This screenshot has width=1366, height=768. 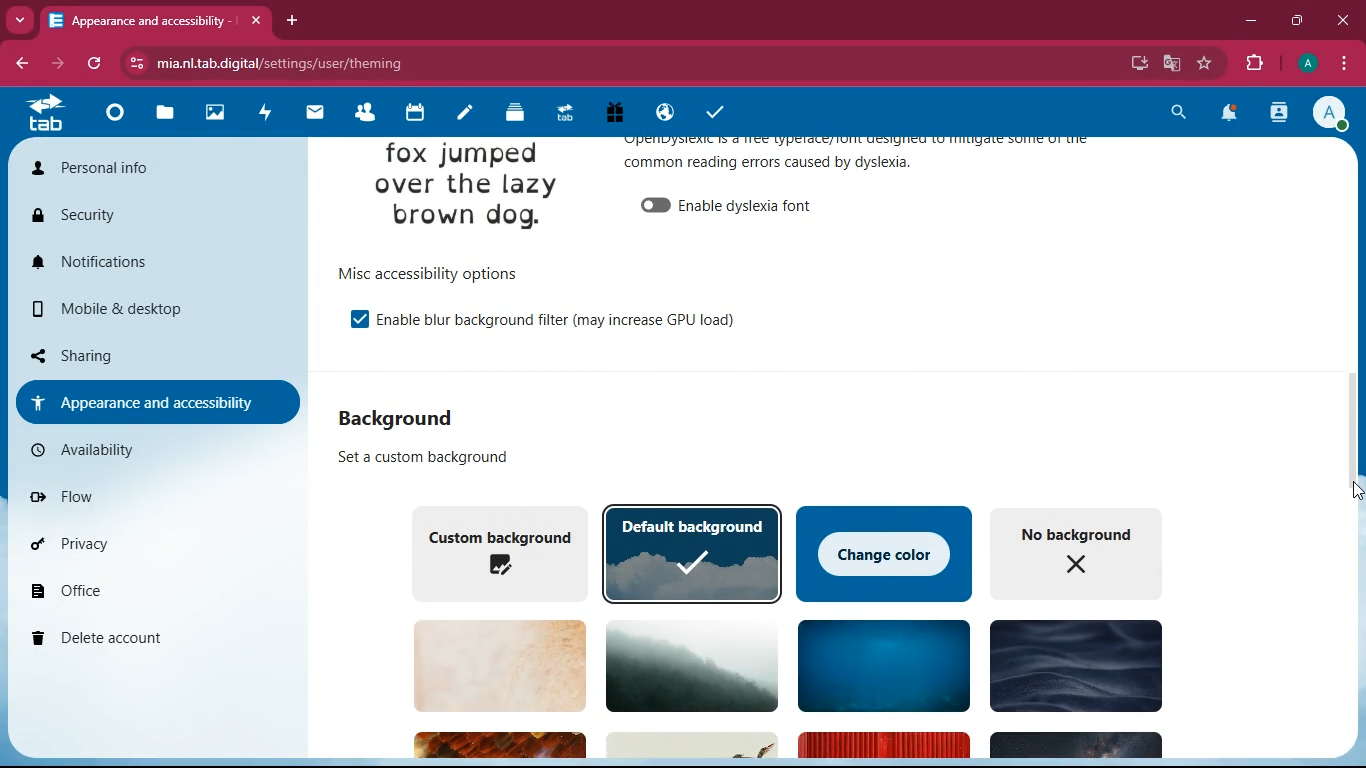 What do you see at coordinates (496, 664) in the screenshot?
I see `background` at bounding box center [496, 664].